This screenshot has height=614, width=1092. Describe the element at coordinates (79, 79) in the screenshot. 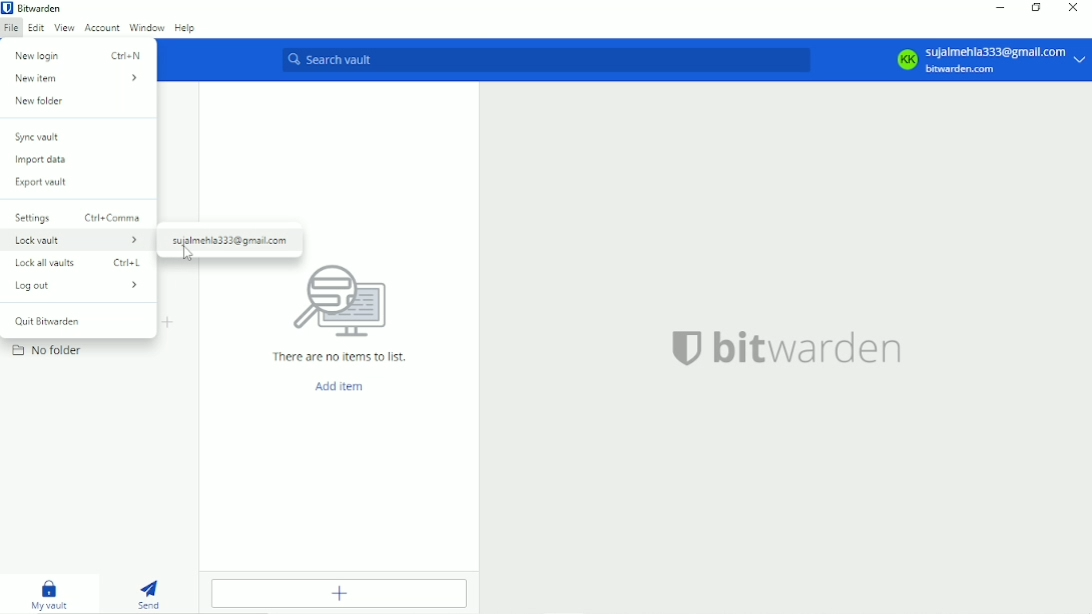

I see `New item` at that location.